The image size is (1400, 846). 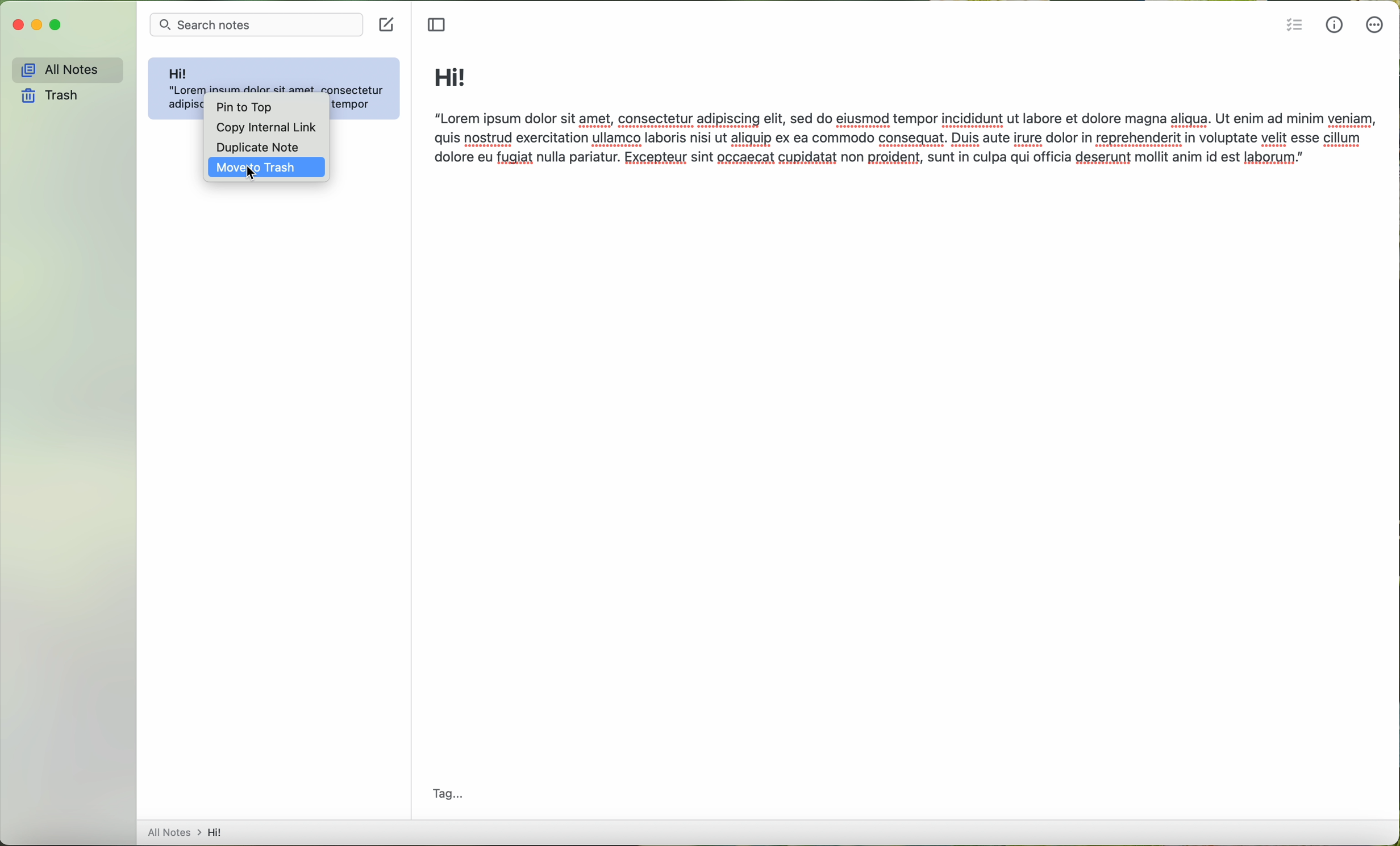 What do you see at coordinates (259, 145) in the screenshot?
I see `duplicate note` at bounding box center [259, 145].